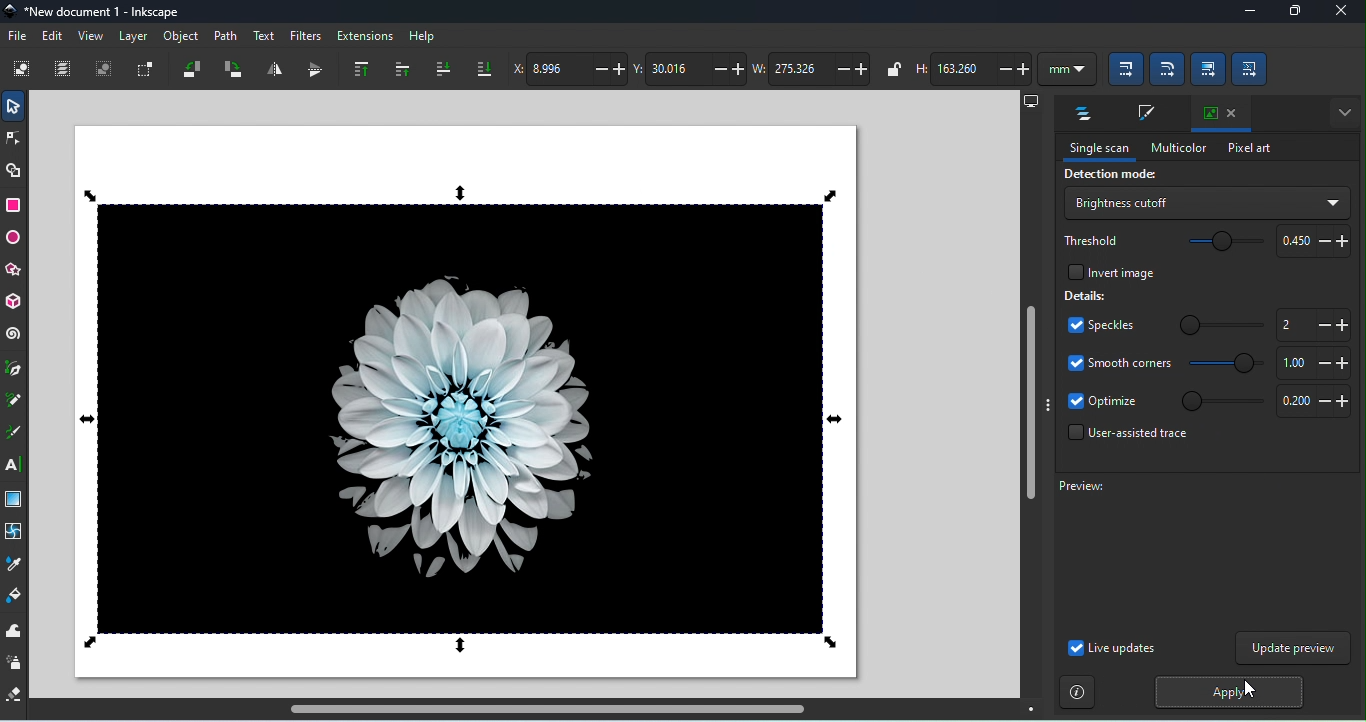 This screenshot has height=722, width=1366. What do you see at coordinates (542, 711) in the screenshot?
I see `Horizontal scroll bar` at bounding box center [542, 711].